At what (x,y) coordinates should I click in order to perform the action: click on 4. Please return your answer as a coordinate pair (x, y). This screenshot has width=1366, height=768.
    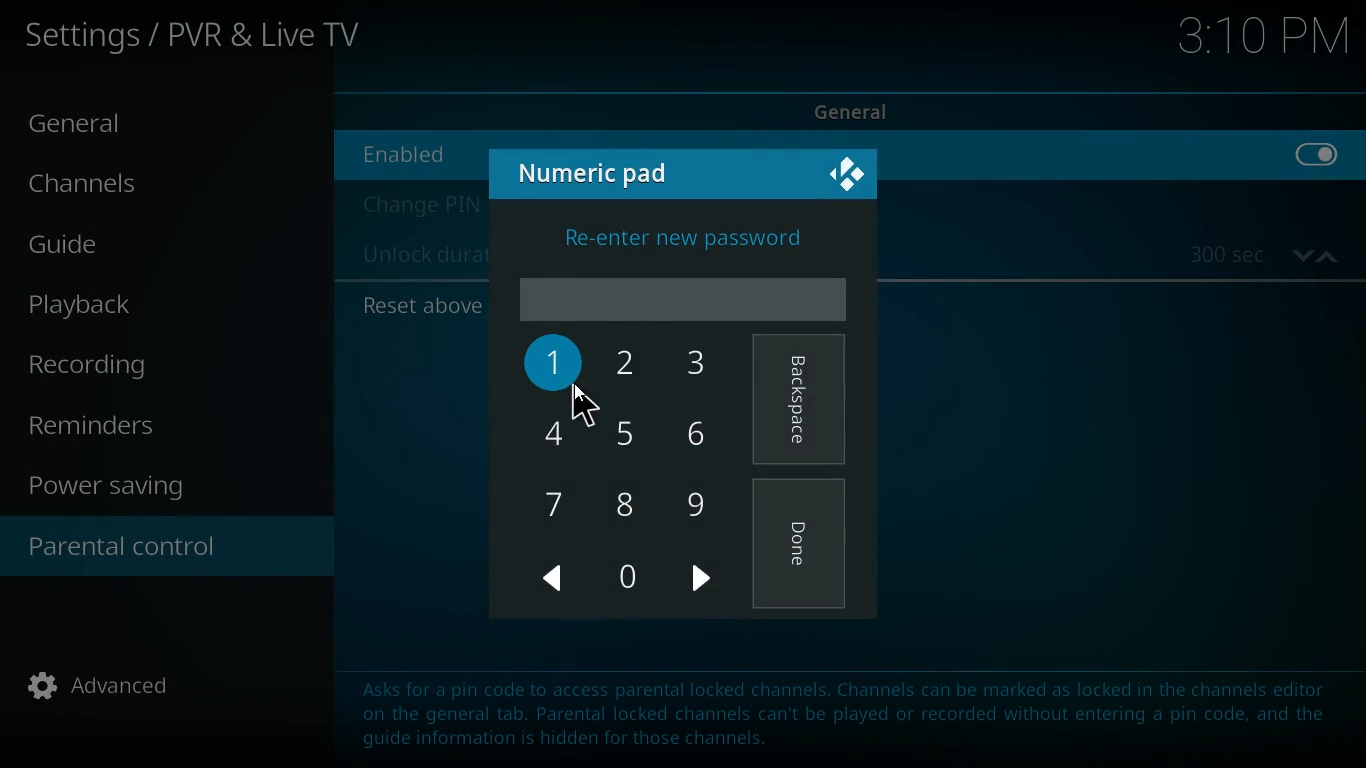
    Looking at the image, I should click on (555, 431).